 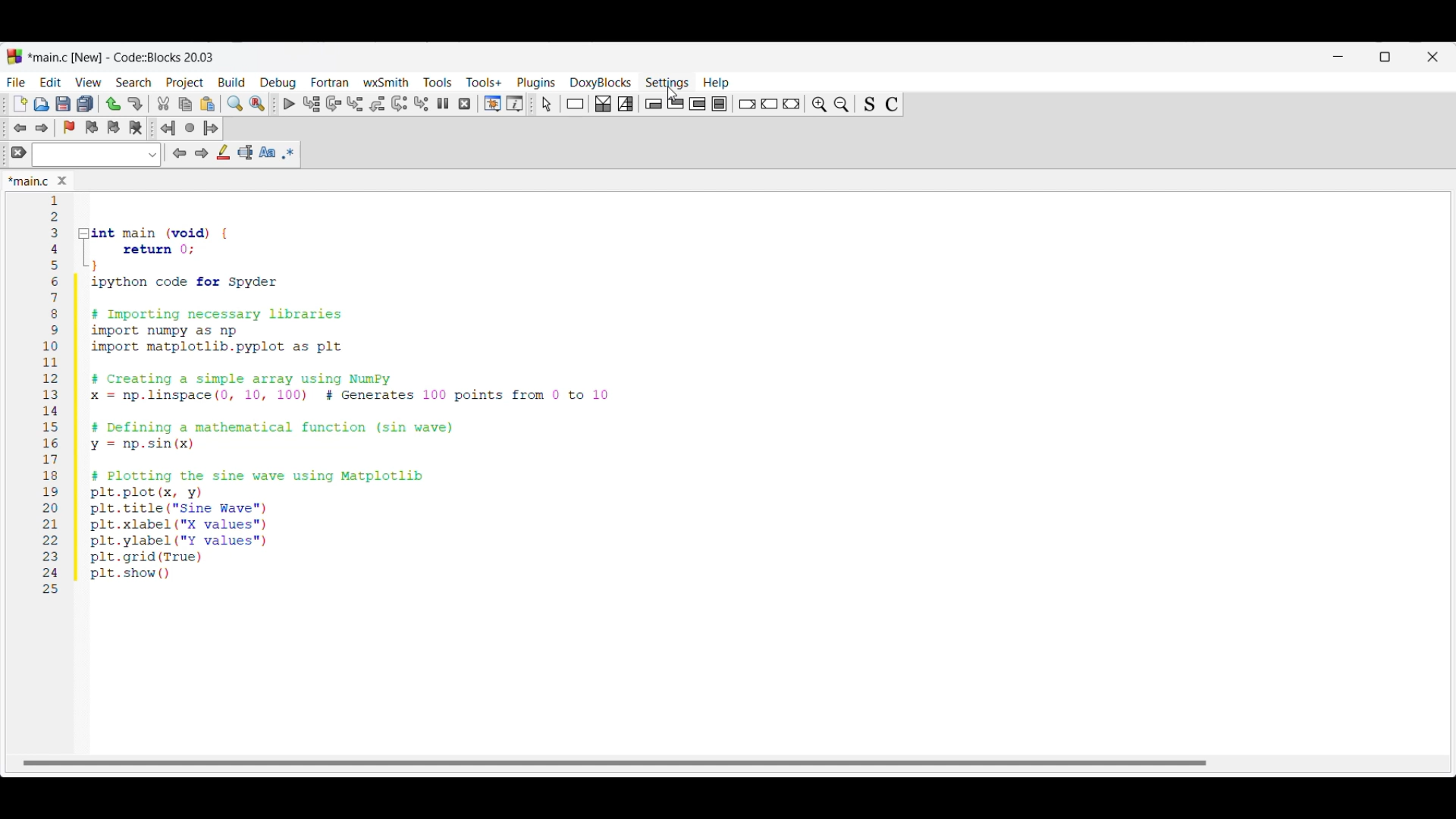 I want to click on Close tab, so click(x=62, y=180).